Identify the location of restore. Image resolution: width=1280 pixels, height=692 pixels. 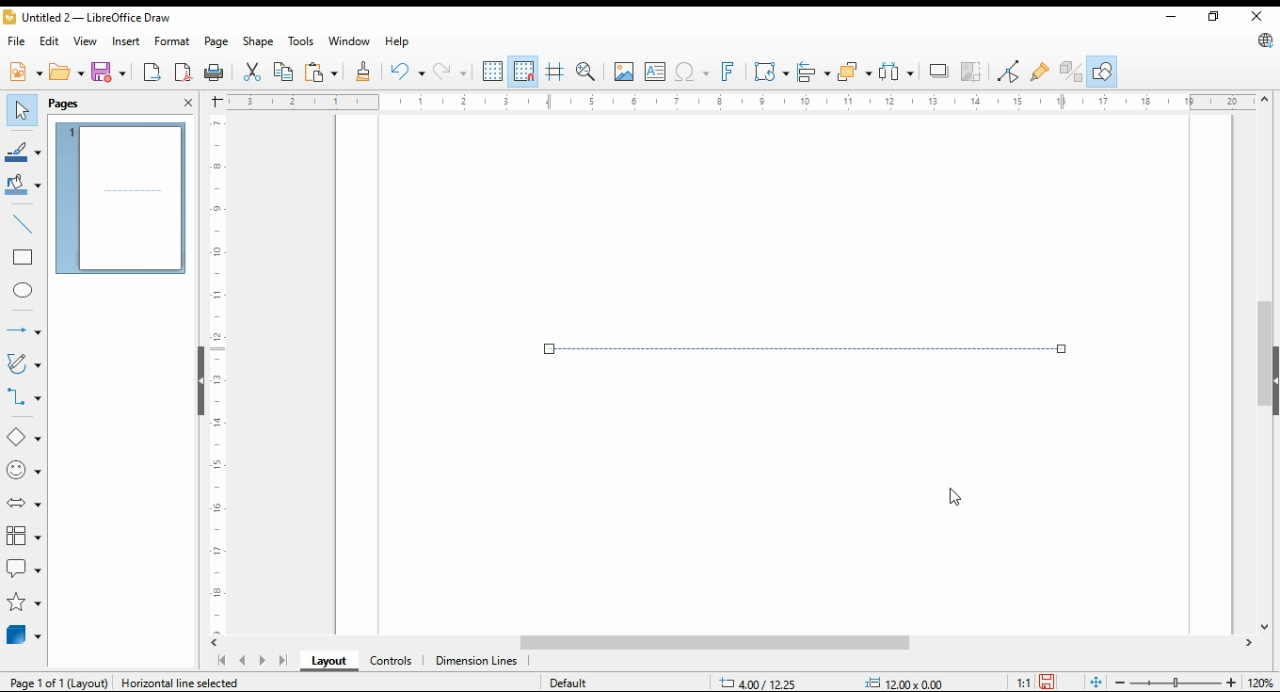
(1217, 17).